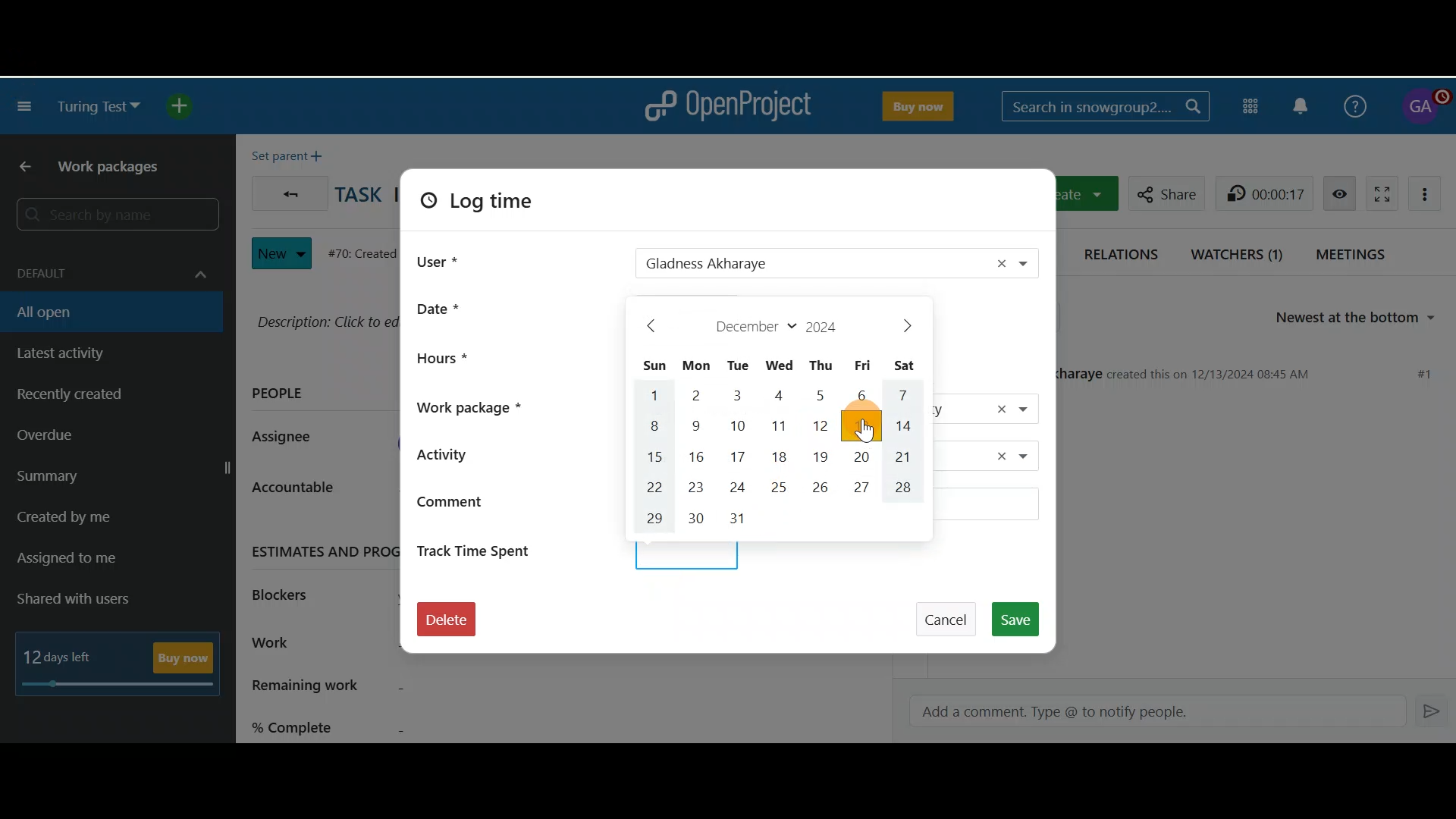 This screenshot has height=819, width=1456. Describe the element at coordinates (1163, 191) in the screenshot. I see `Share` at that location.